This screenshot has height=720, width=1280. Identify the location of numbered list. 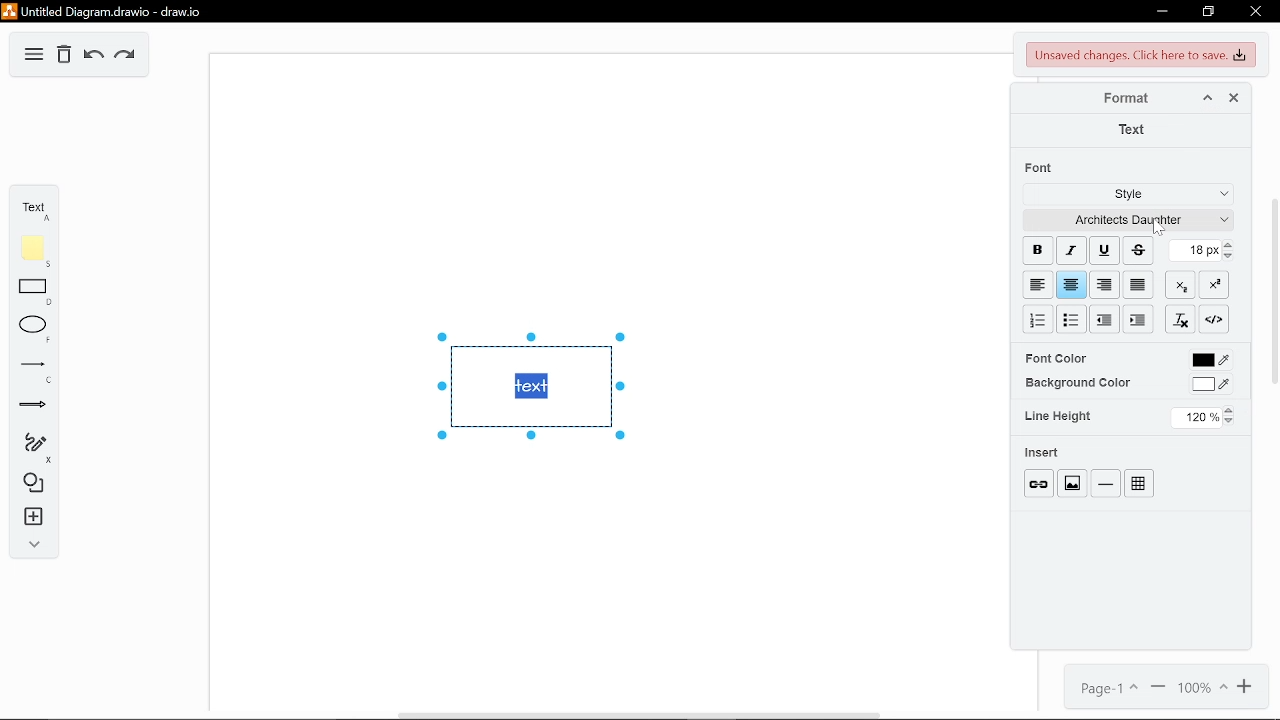
(1039, 320).